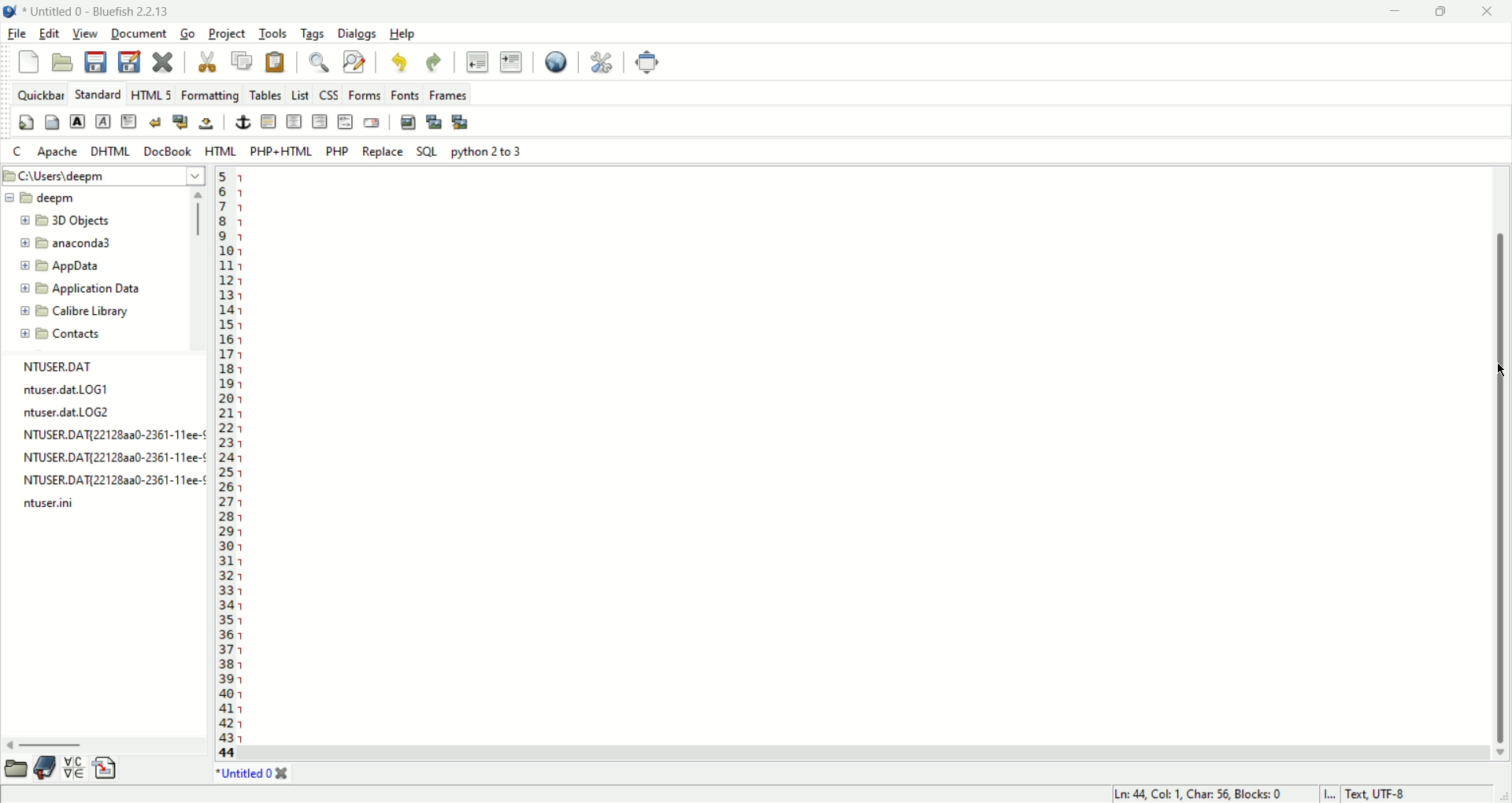 The width and height of the screenshot is (1512, 803). What do you see at coordinates (41, 198) in the screenshot?
I see `Folder name` at bounding box center [41, 198].